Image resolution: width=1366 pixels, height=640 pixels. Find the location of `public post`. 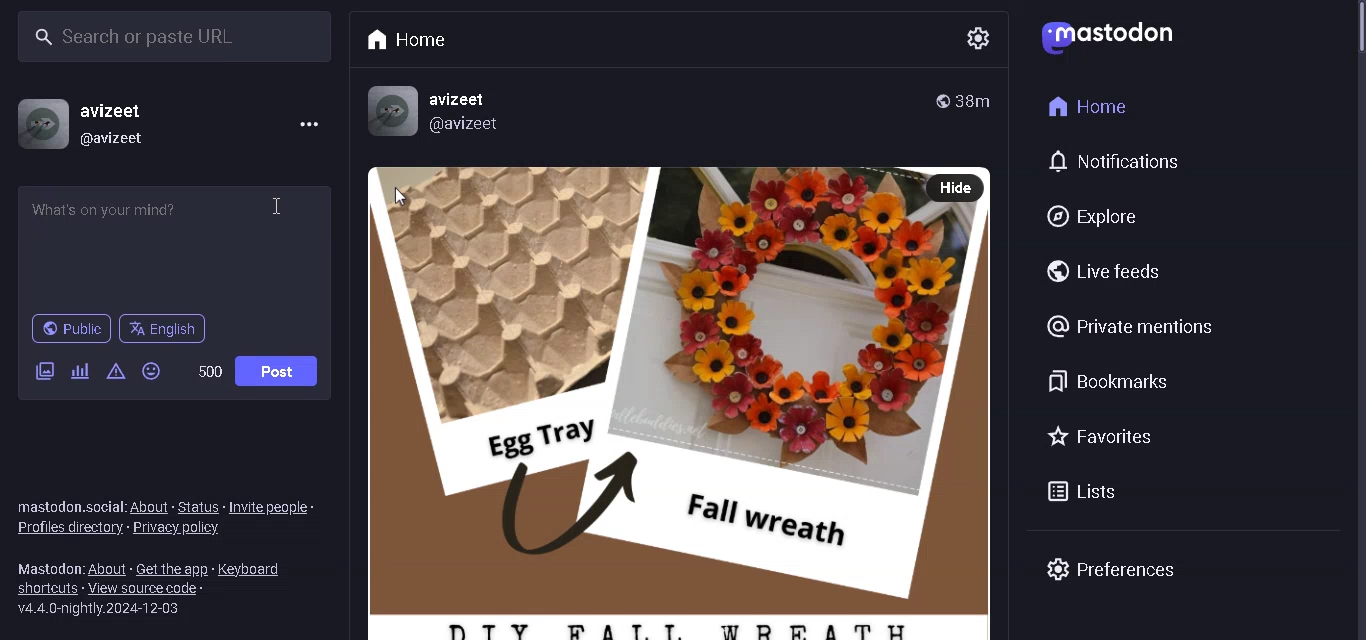

public post is located at coordinates (939, 101).